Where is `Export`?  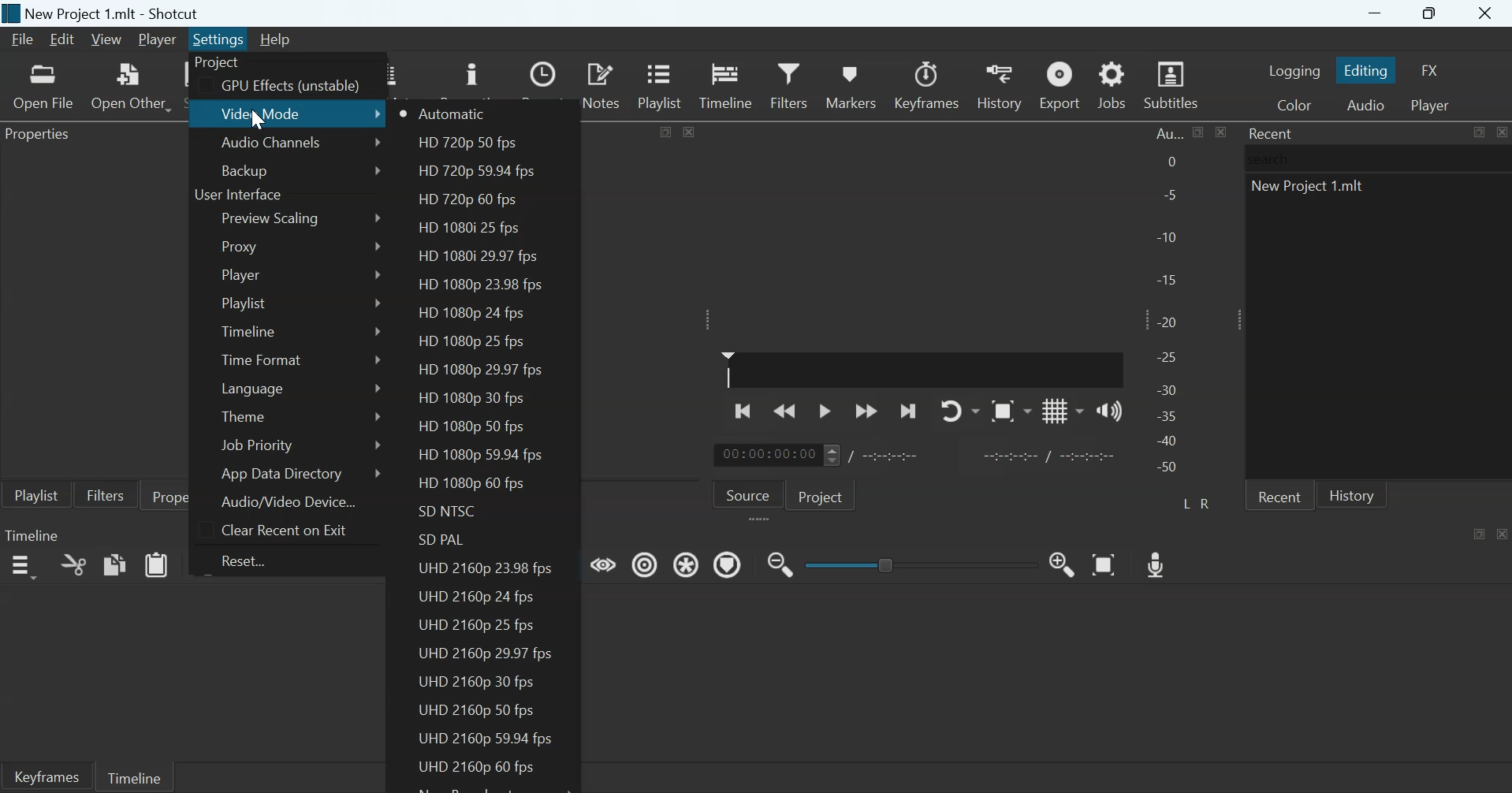
Export is located at coordinates (1058, 84).